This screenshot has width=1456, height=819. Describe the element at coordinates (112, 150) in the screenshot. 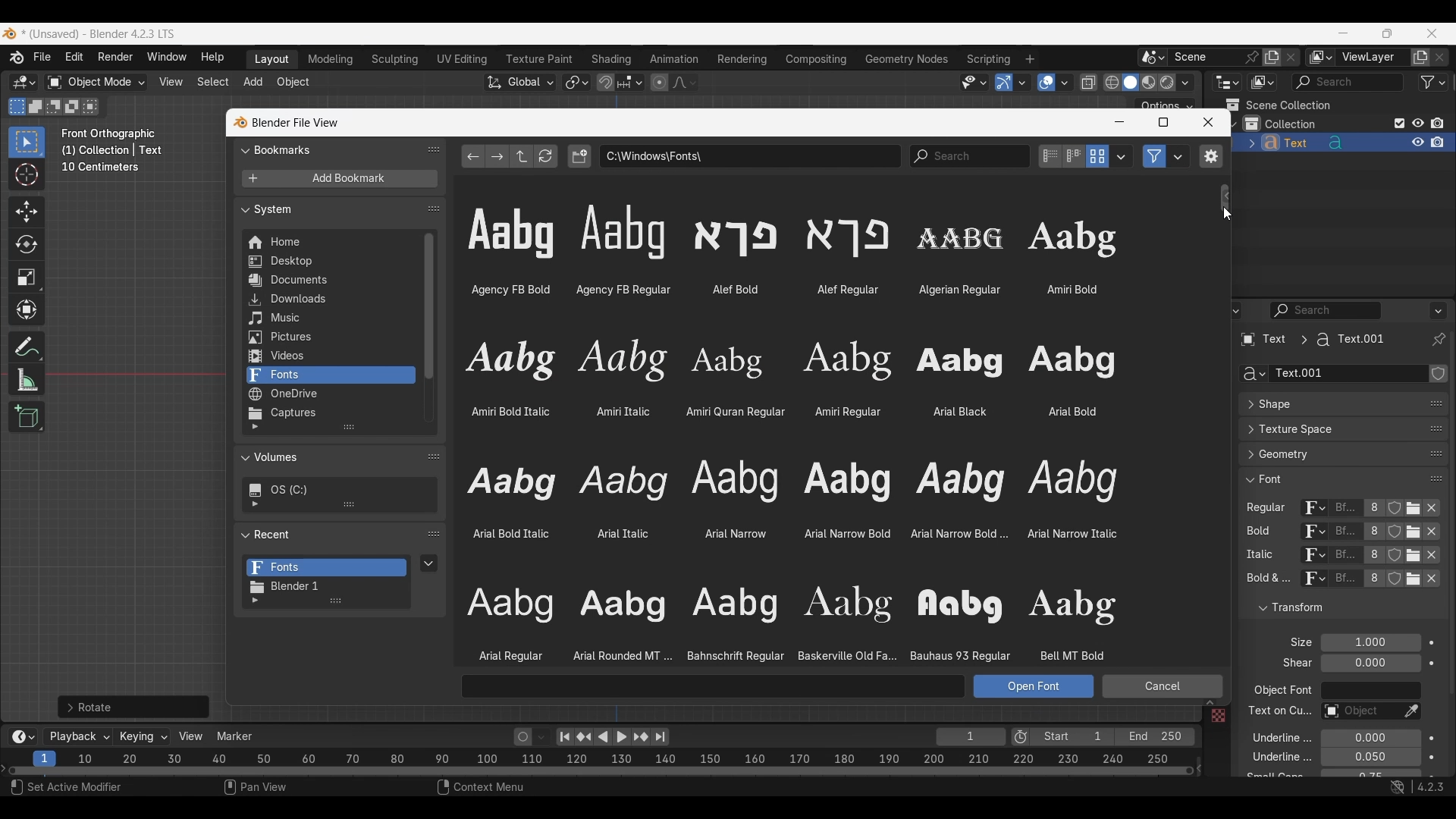

I see `Frame description changed` at that location.